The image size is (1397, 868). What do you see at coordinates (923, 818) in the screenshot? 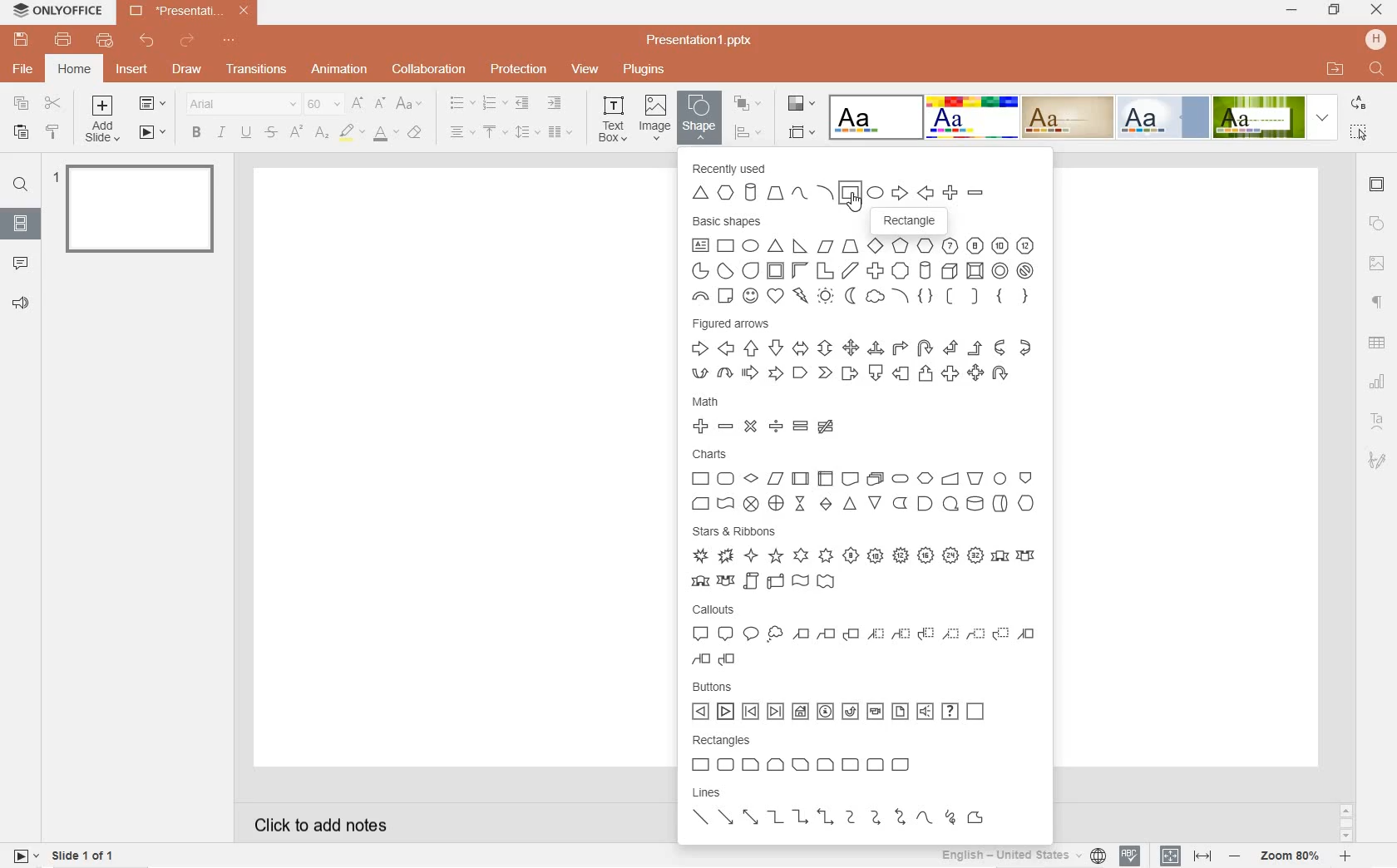
I see `Curve` at bounding box center [923, 818].